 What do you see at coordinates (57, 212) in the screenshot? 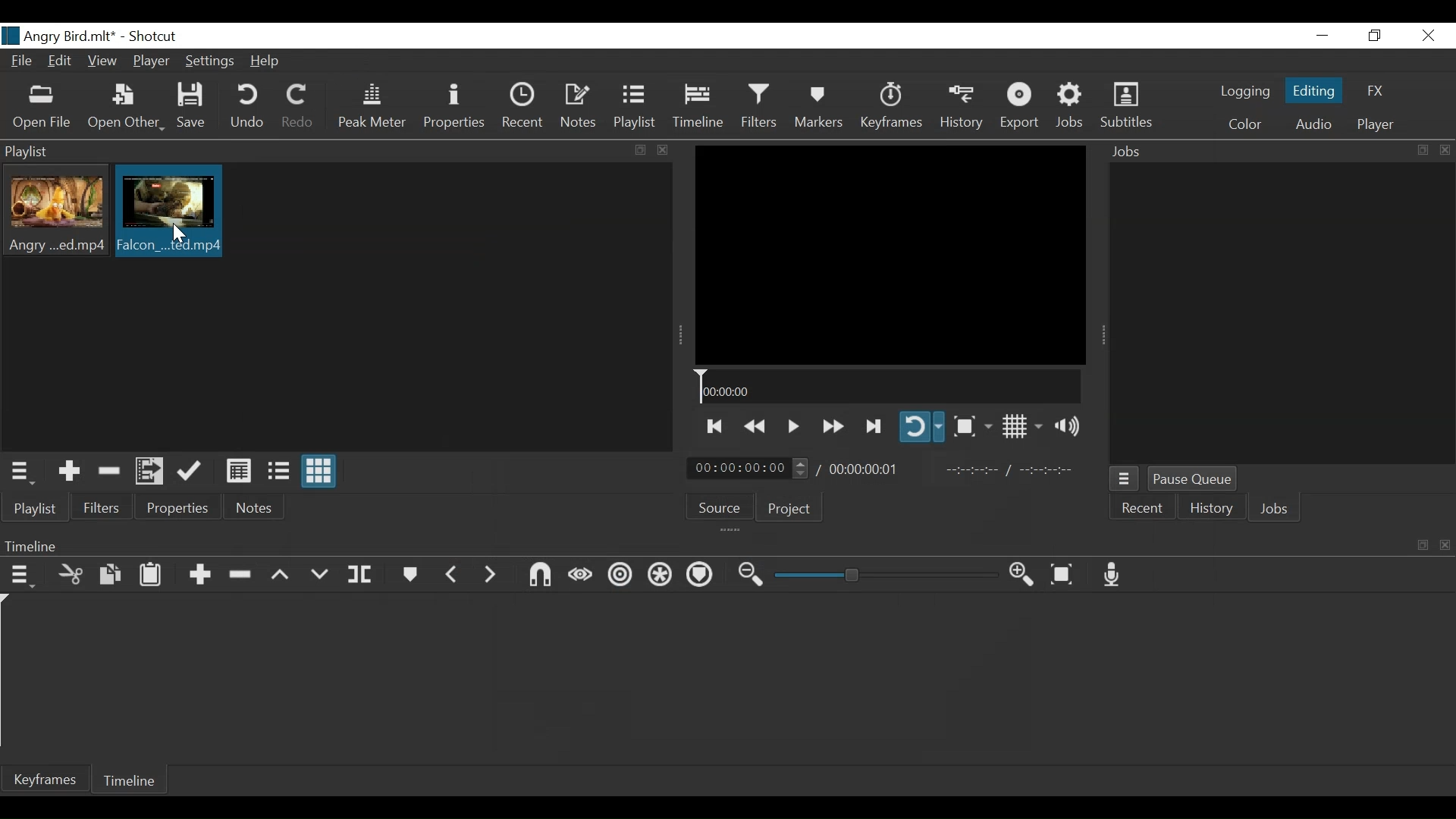
I see `Clip` at bounding box center [57, 212].